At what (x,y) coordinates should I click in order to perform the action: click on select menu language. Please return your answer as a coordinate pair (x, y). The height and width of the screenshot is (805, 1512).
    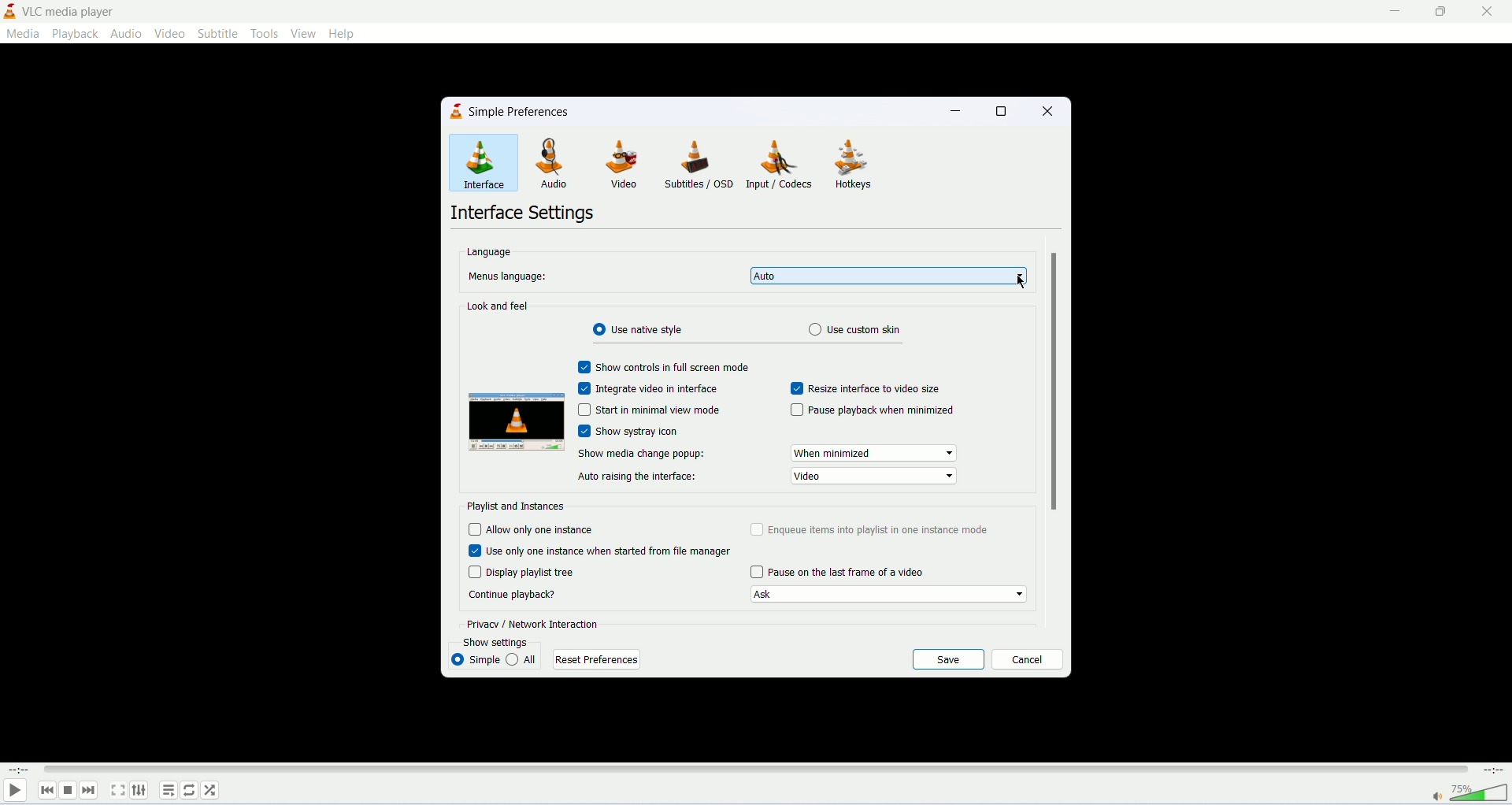
    Looking at the image, I should click on (888, 276).